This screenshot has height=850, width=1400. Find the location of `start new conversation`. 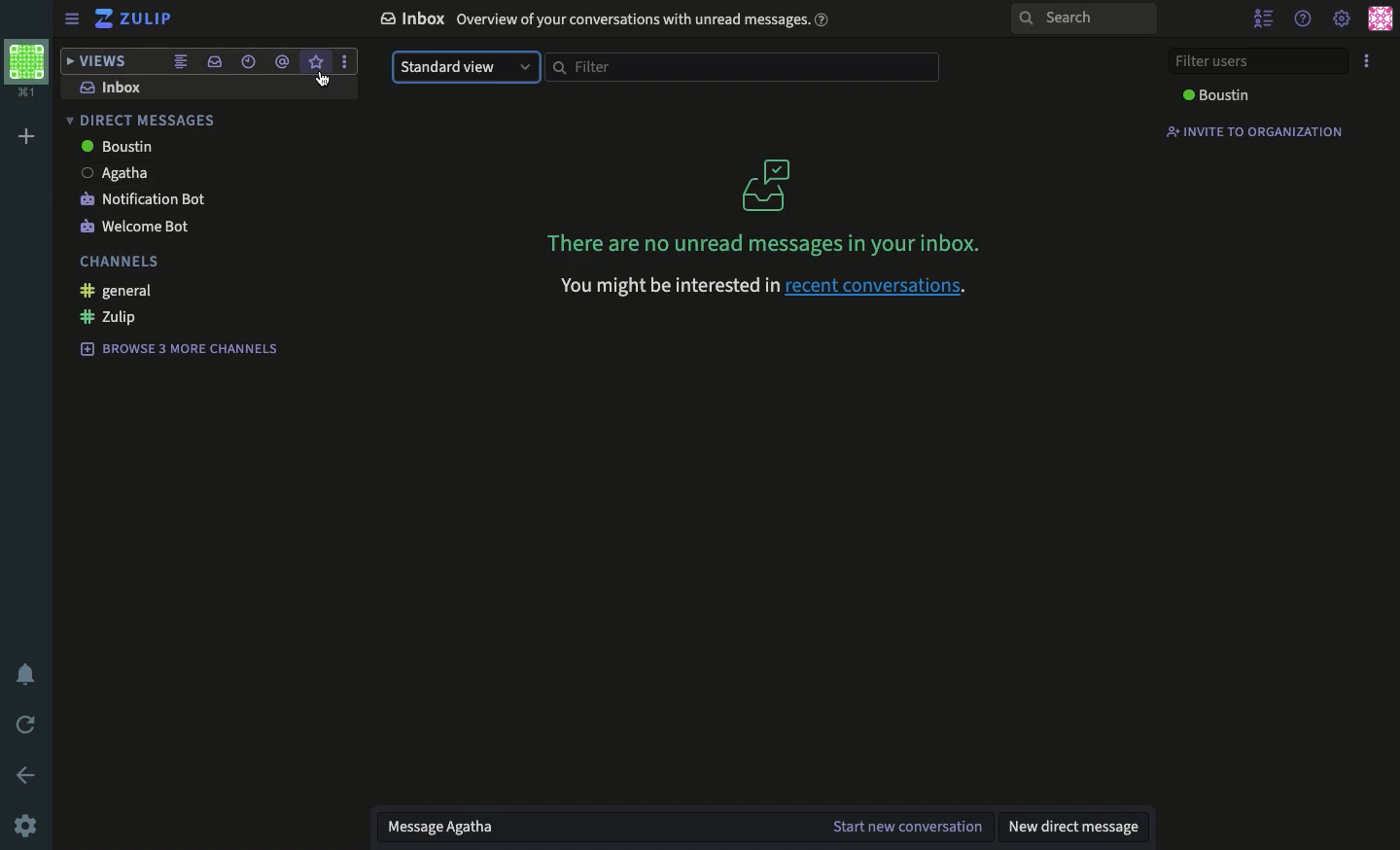

start new conversation is located at coordinates (909, 824).